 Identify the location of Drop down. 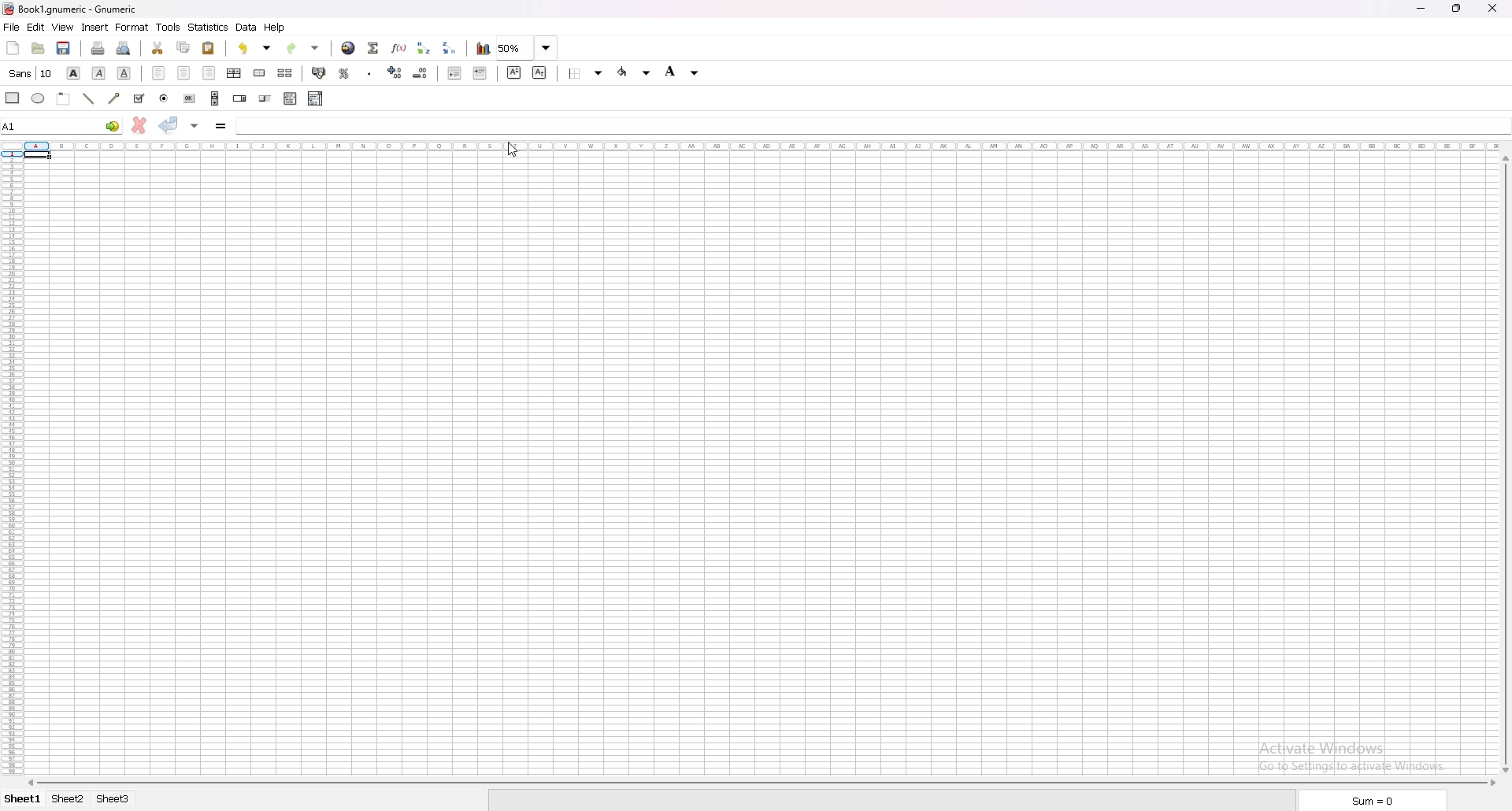
(320, 47).